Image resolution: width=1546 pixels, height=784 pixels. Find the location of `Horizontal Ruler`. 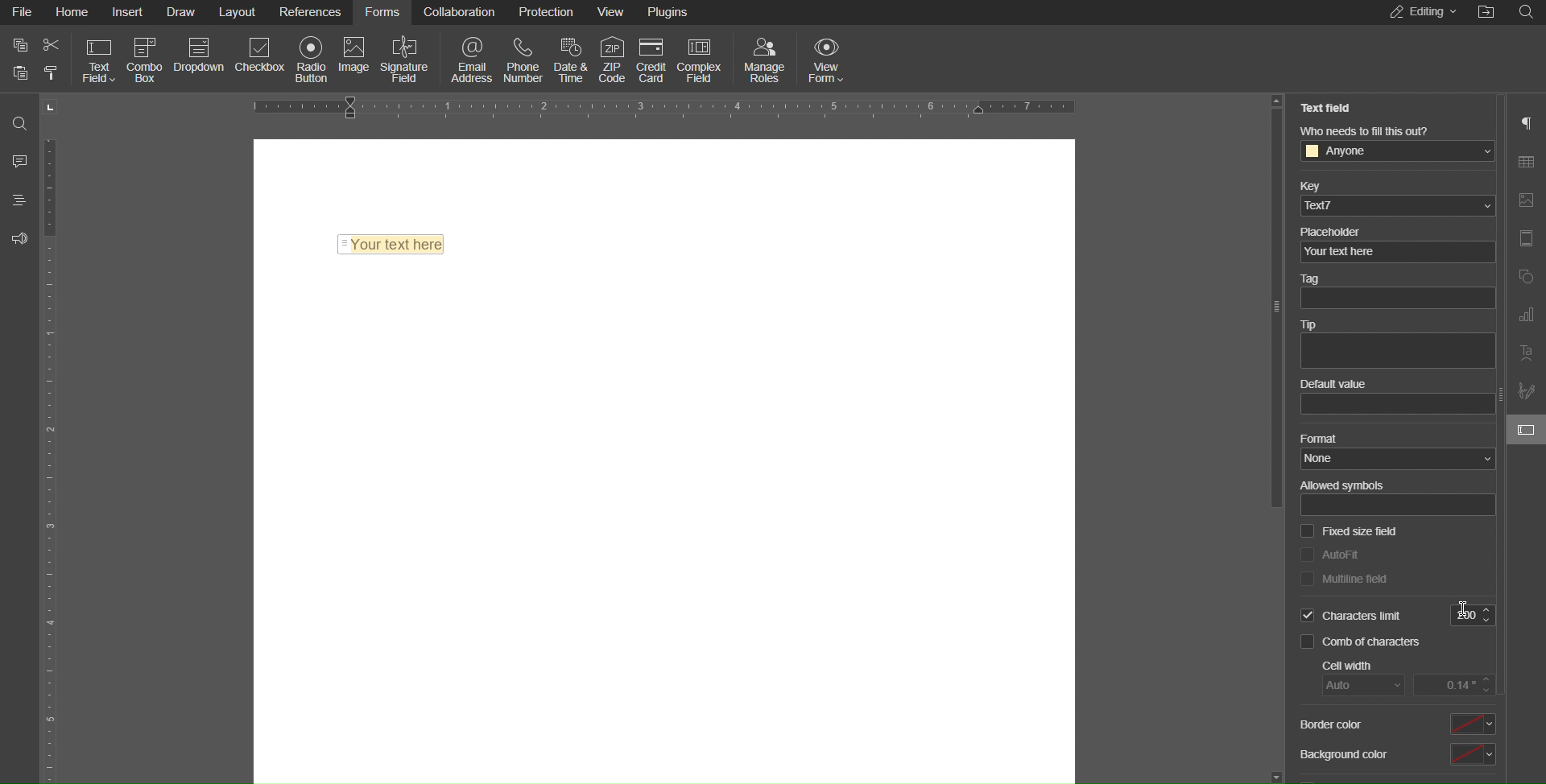

Horizontal Ruler is located at coordinates (668, 105).